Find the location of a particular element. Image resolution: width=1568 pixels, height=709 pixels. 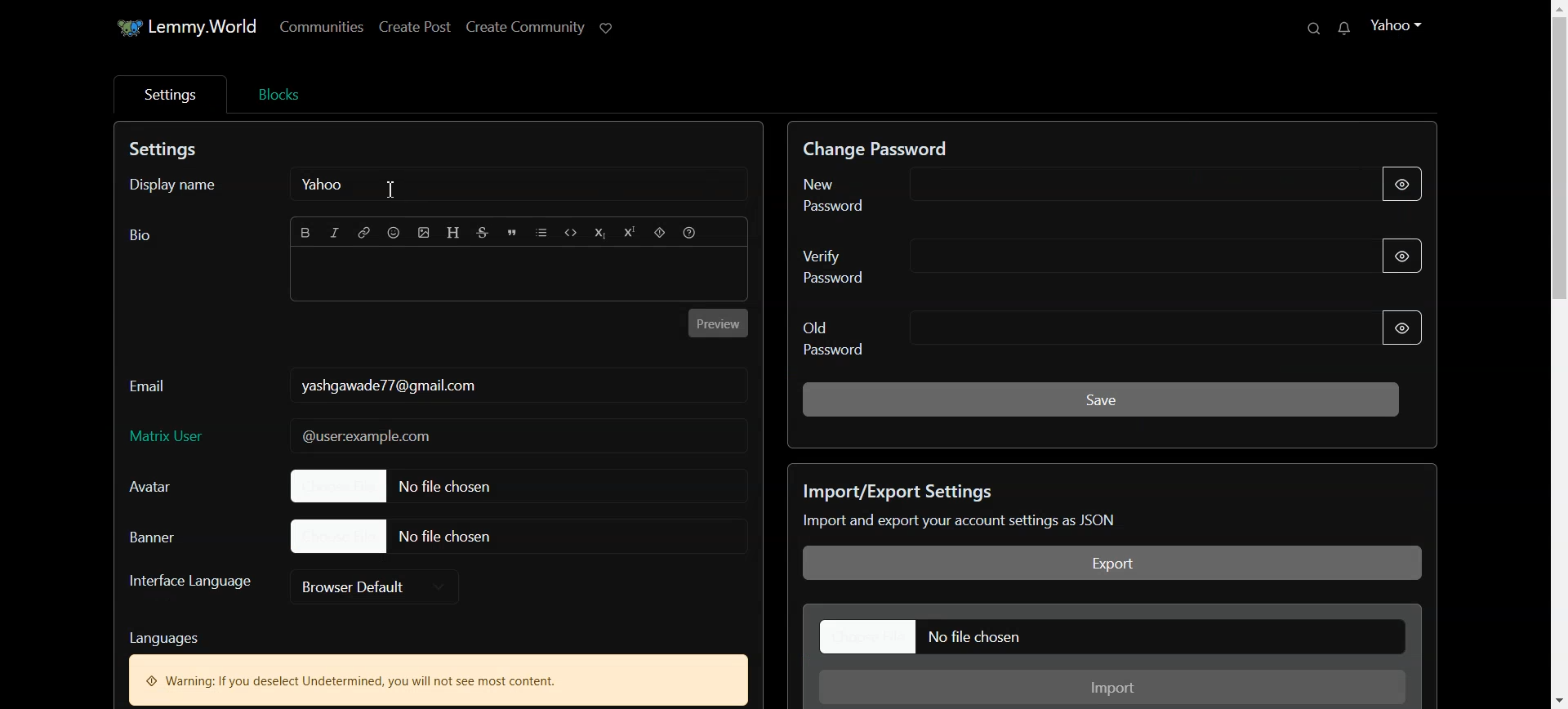

Old Password is located at coordinates (1056, 336).